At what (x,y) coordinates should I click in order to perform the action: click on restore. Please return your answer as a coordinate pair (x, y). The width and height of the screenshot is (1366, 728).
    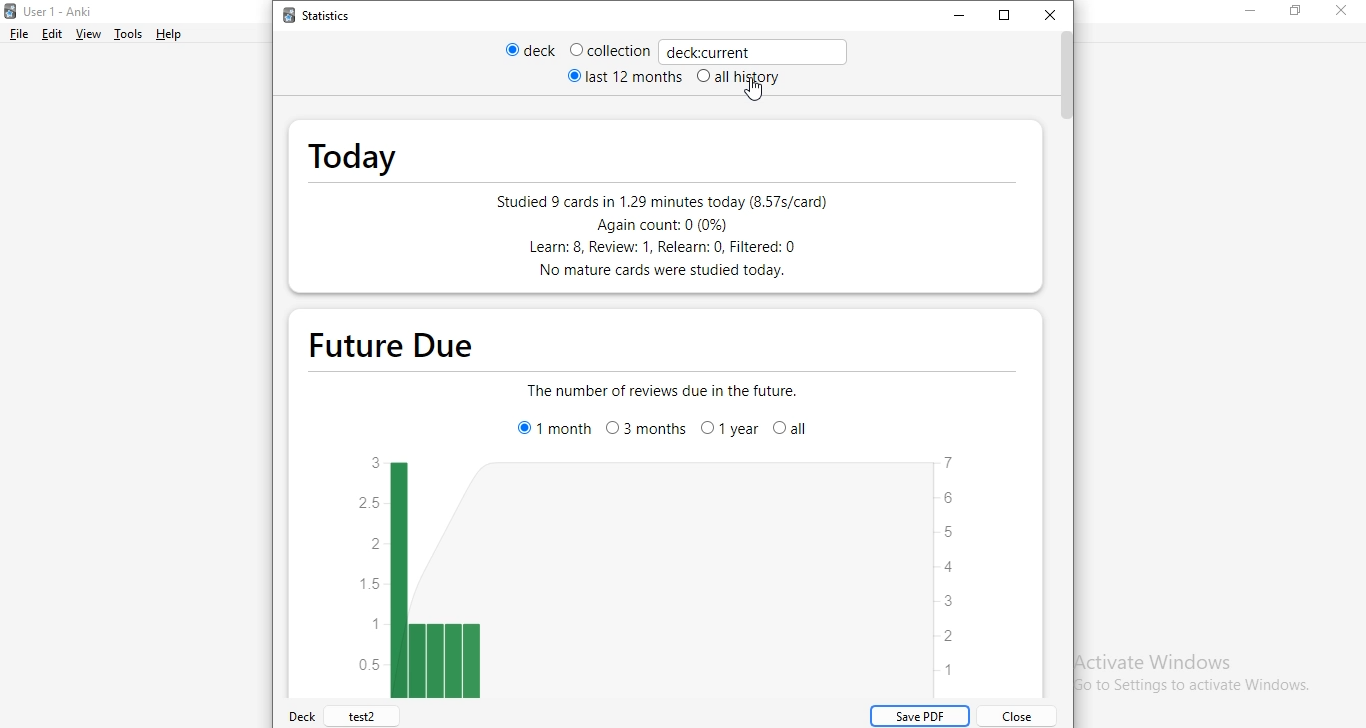
    Looking at the image, I should click on (1002, 16).